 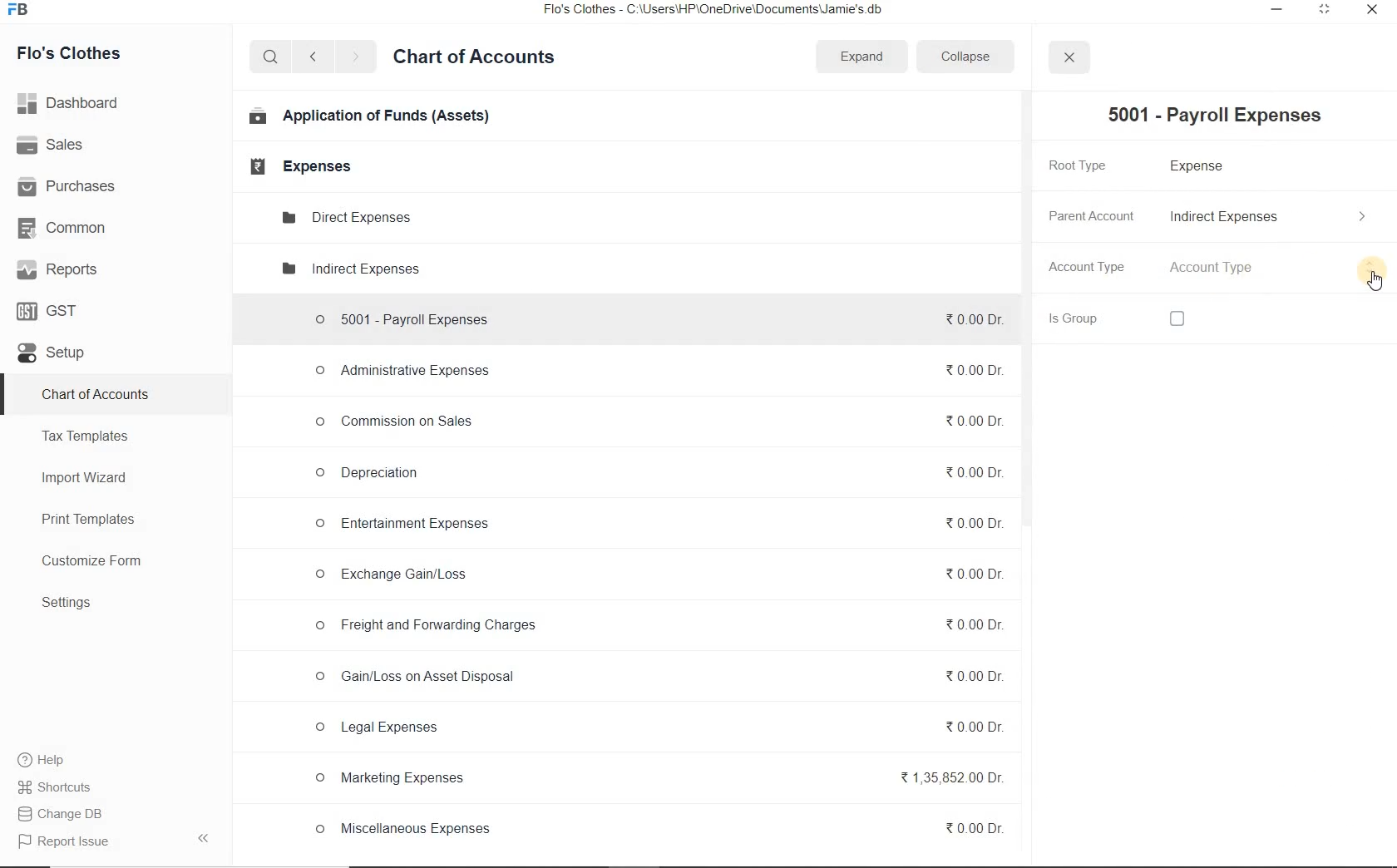 What do you see at coordinates (312, 57) in the screenshot?
I see `previous` at bounding box center [312, 57].